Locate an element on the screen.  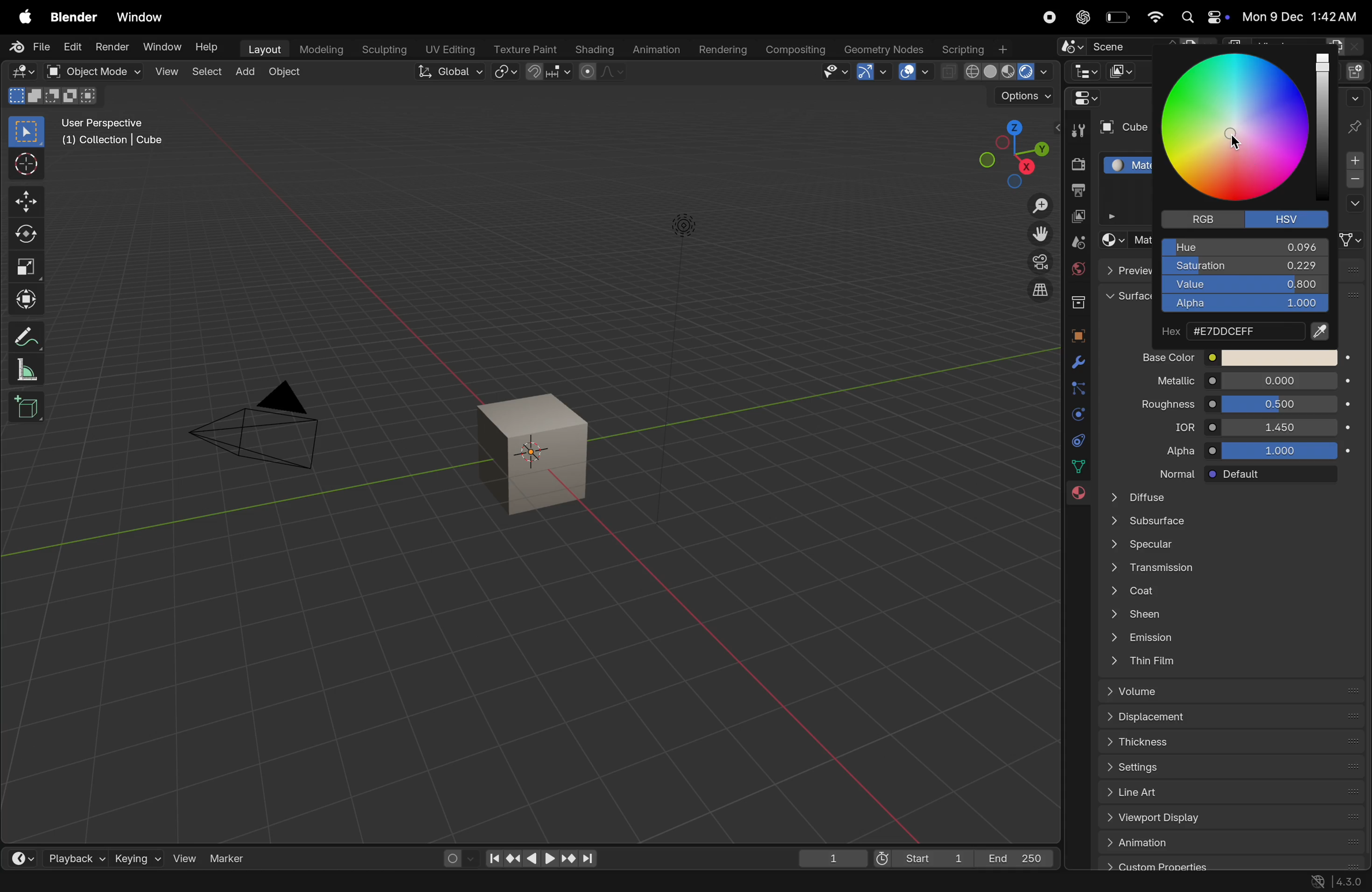
link is located at coordinates (1352, 240).